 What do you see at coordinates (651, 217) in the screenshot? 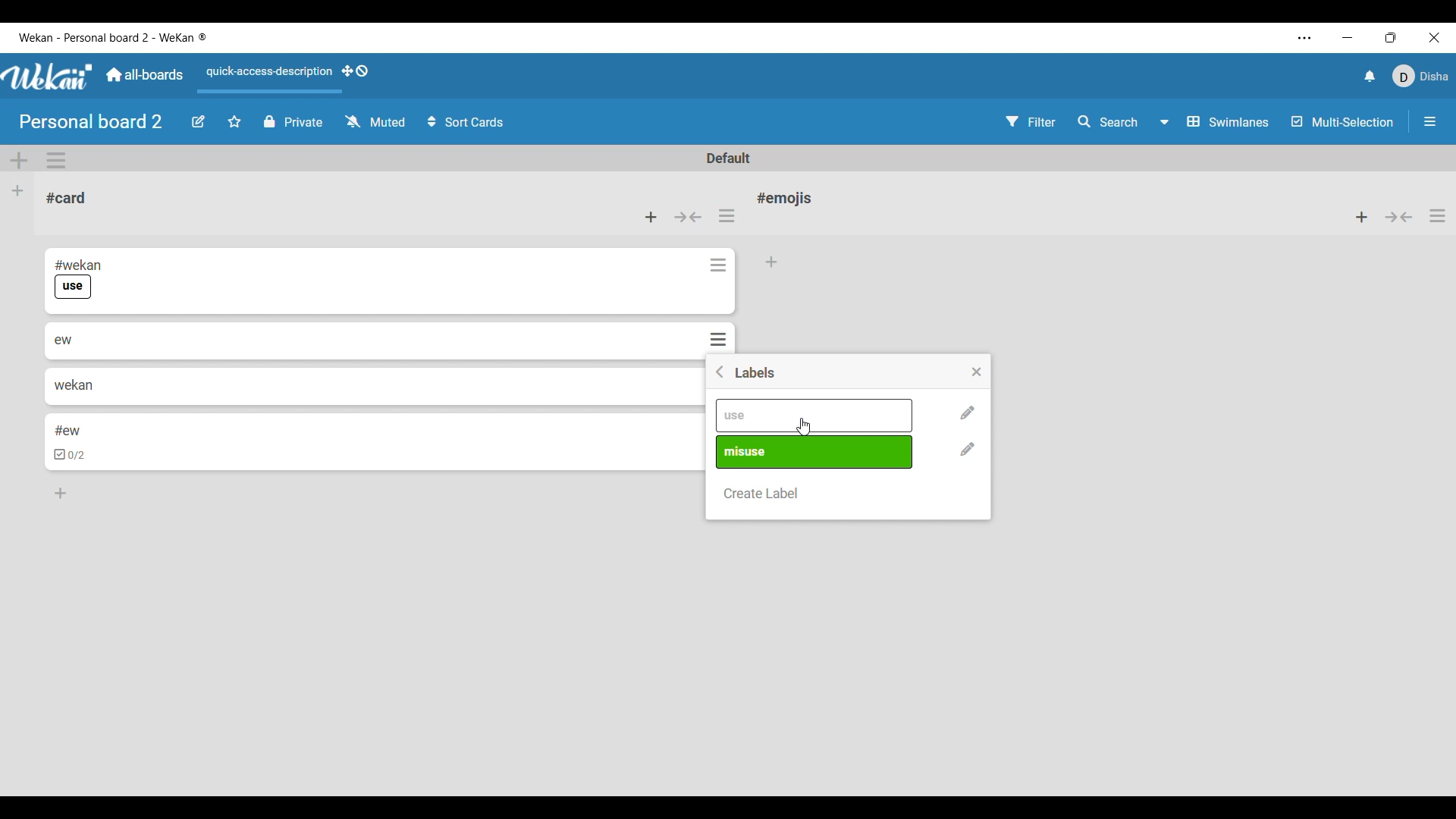
I see `Add card to top of list` at bounding box center [651, 217].